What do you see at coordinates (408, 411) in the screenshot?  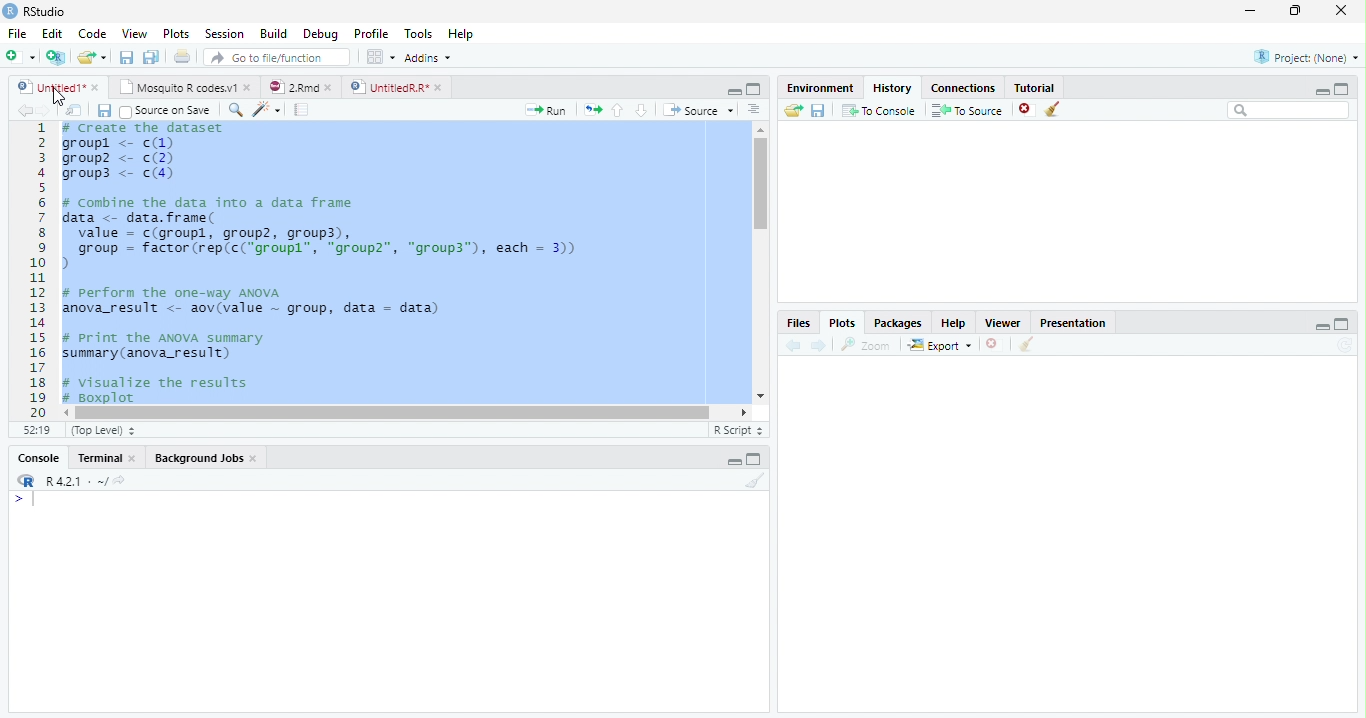 I see `Scrollbar` at bounding box center [408, 411].